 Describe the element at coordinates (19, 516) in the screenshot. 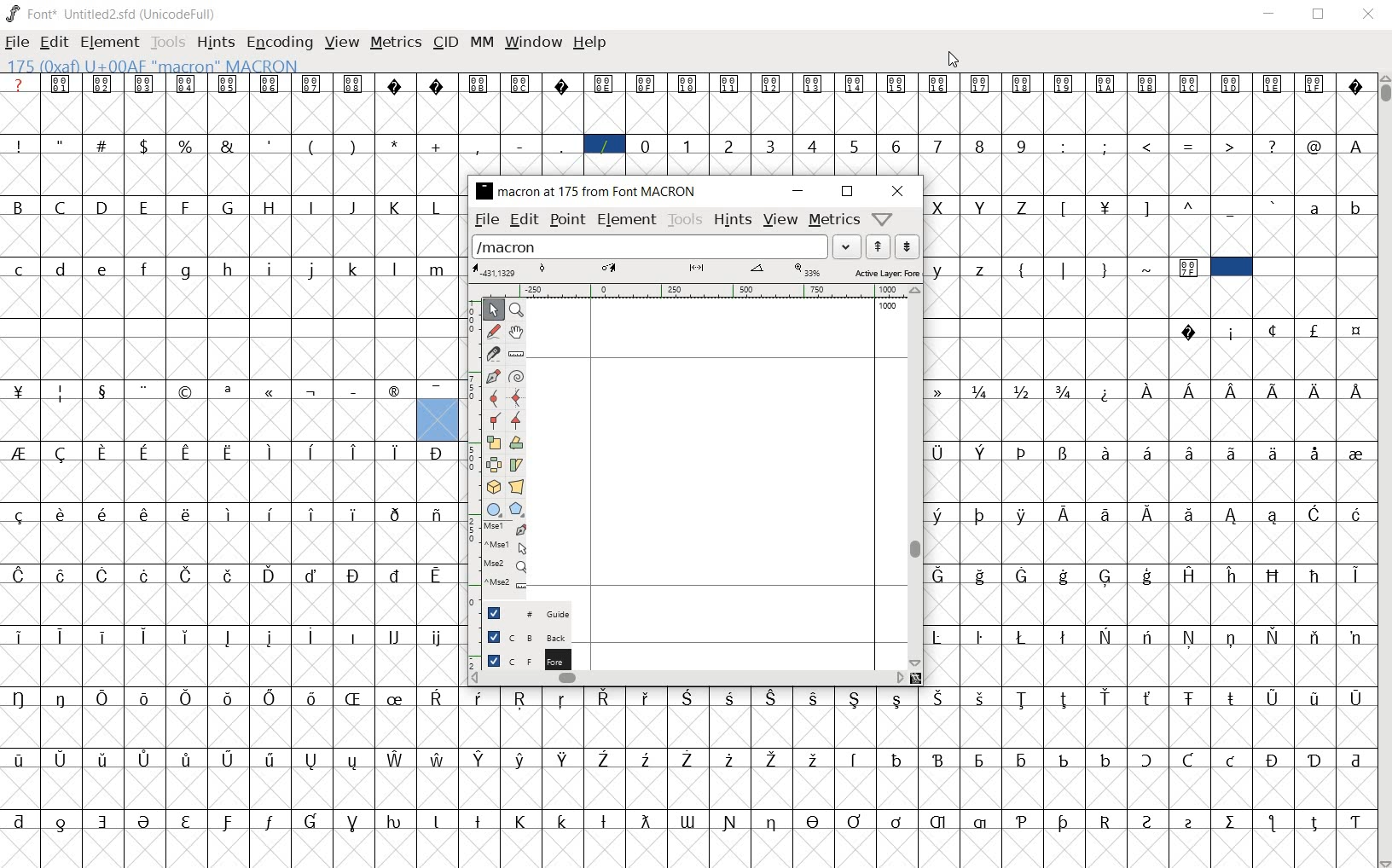

I see `Symbol` at that location.